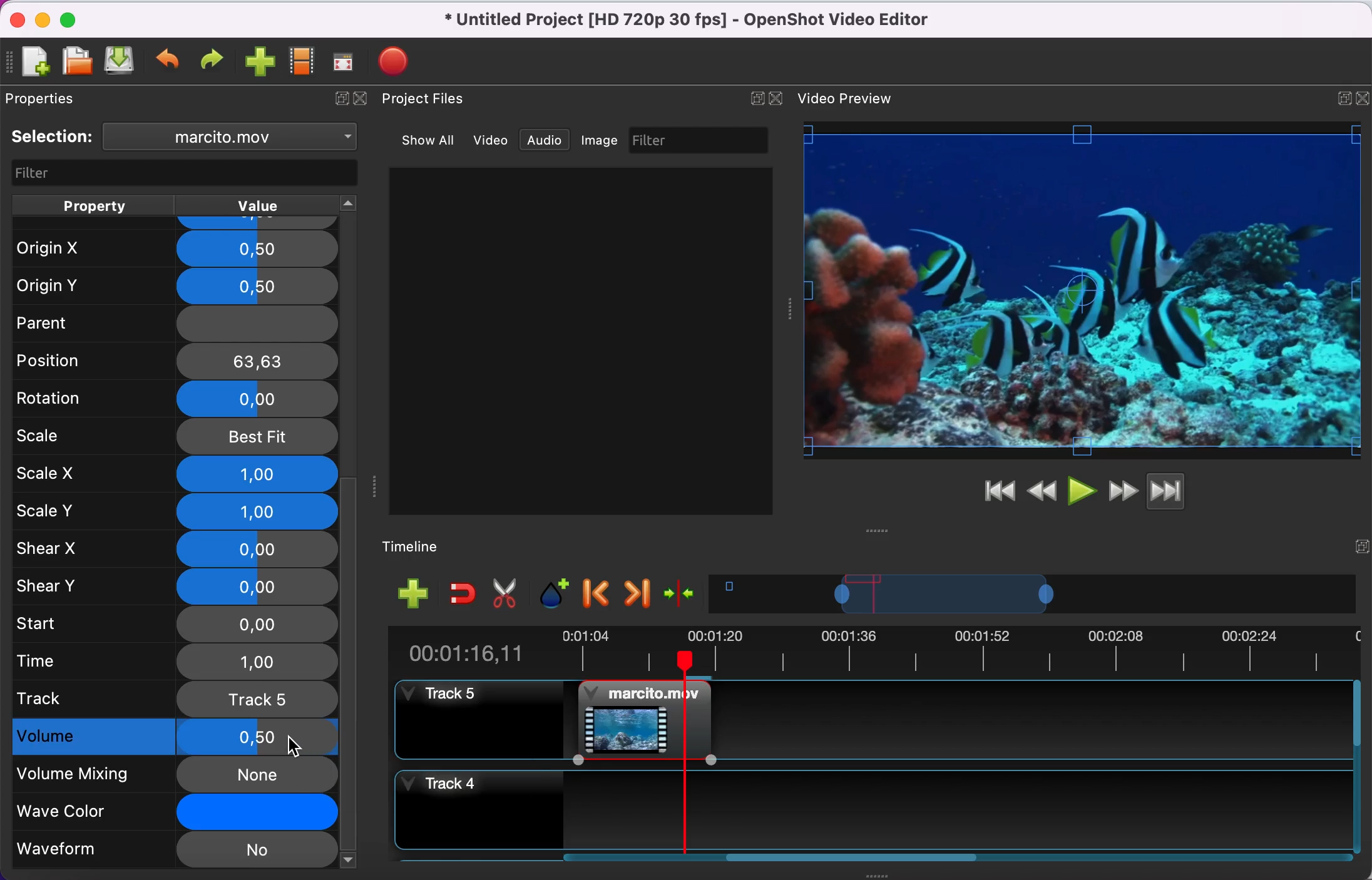 The image size is (1372, 880). I want to click on origin y 0,5, so click(176, 283).